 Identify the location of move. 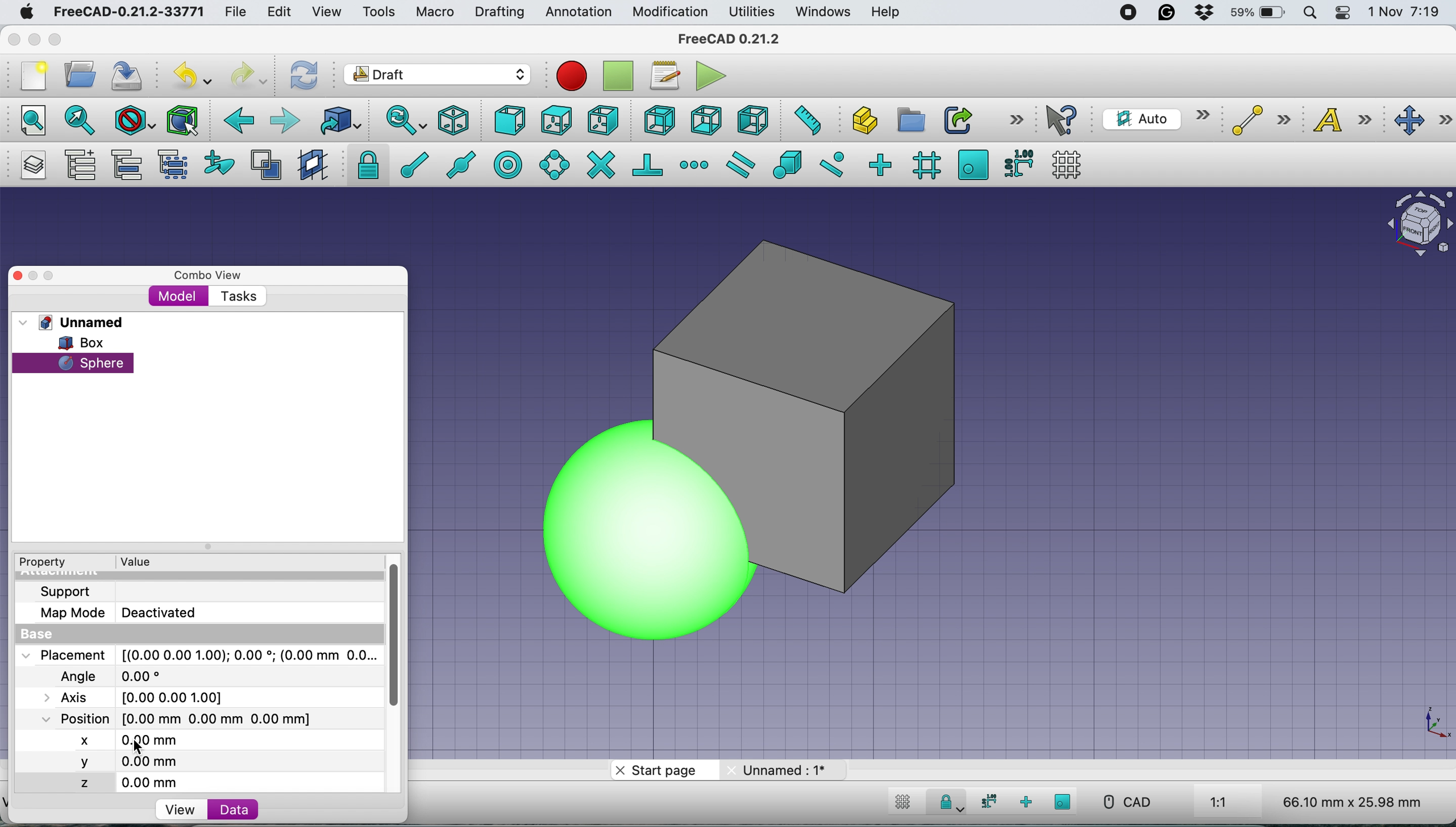
(1424, 121).